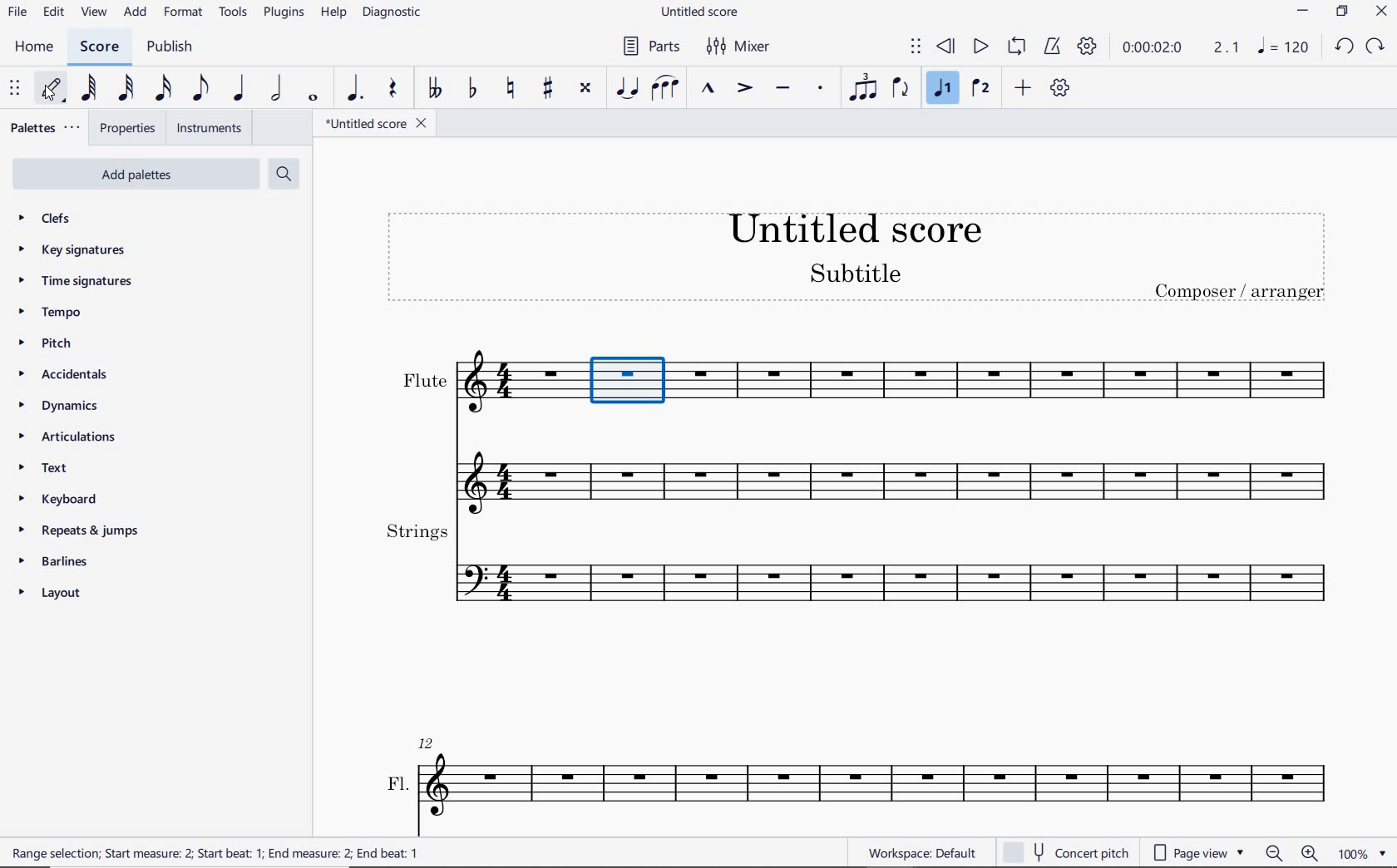 The image size is (1397, 868). Describe the element at coordinates (313, 99) in the screenshot. I see `WHOLE NOTE` at that location.